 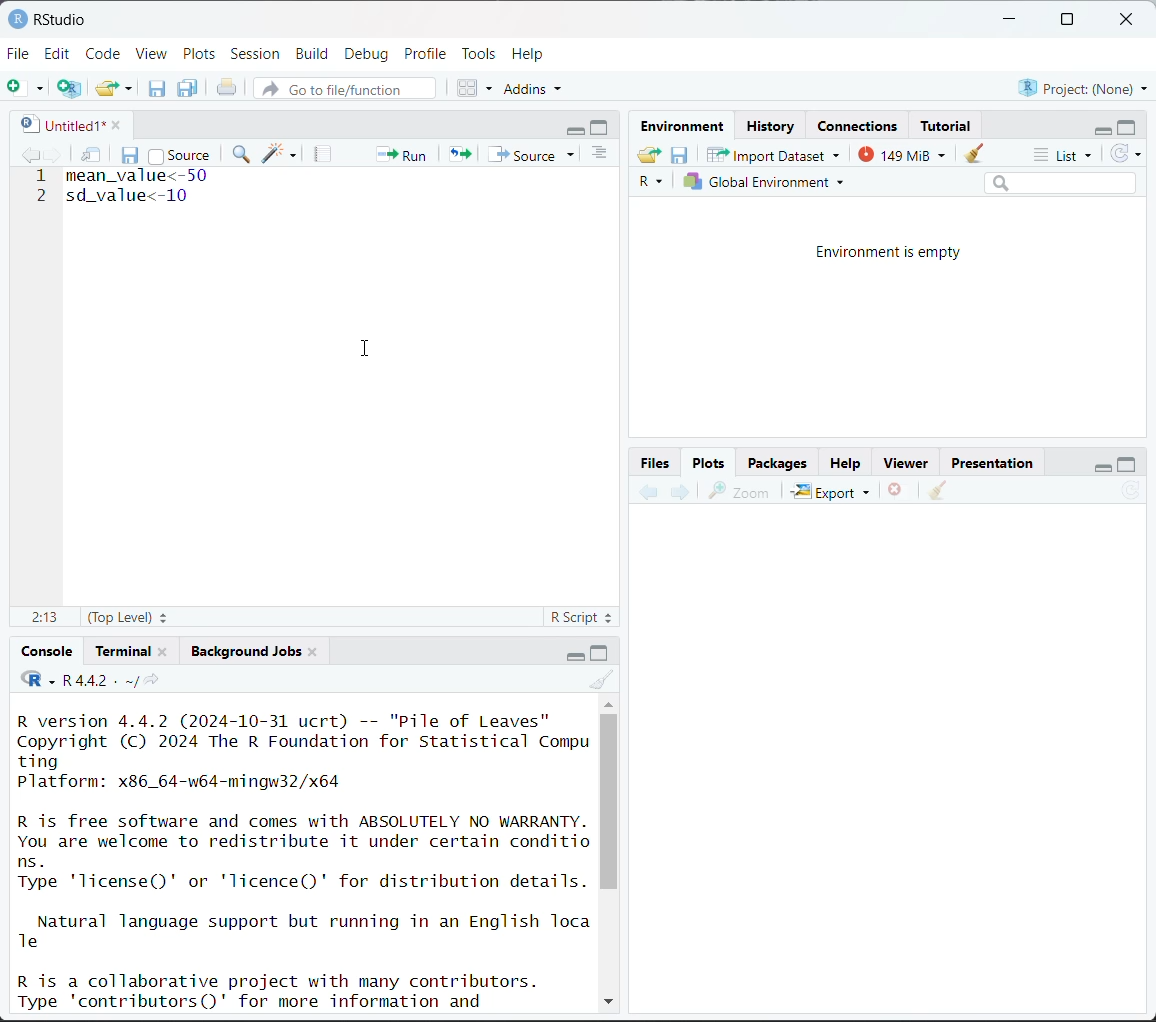 What do you see at coordinates (609, 801) in the screenshot?
I see `vertical scroll bar` at bounding box center [609, 801].